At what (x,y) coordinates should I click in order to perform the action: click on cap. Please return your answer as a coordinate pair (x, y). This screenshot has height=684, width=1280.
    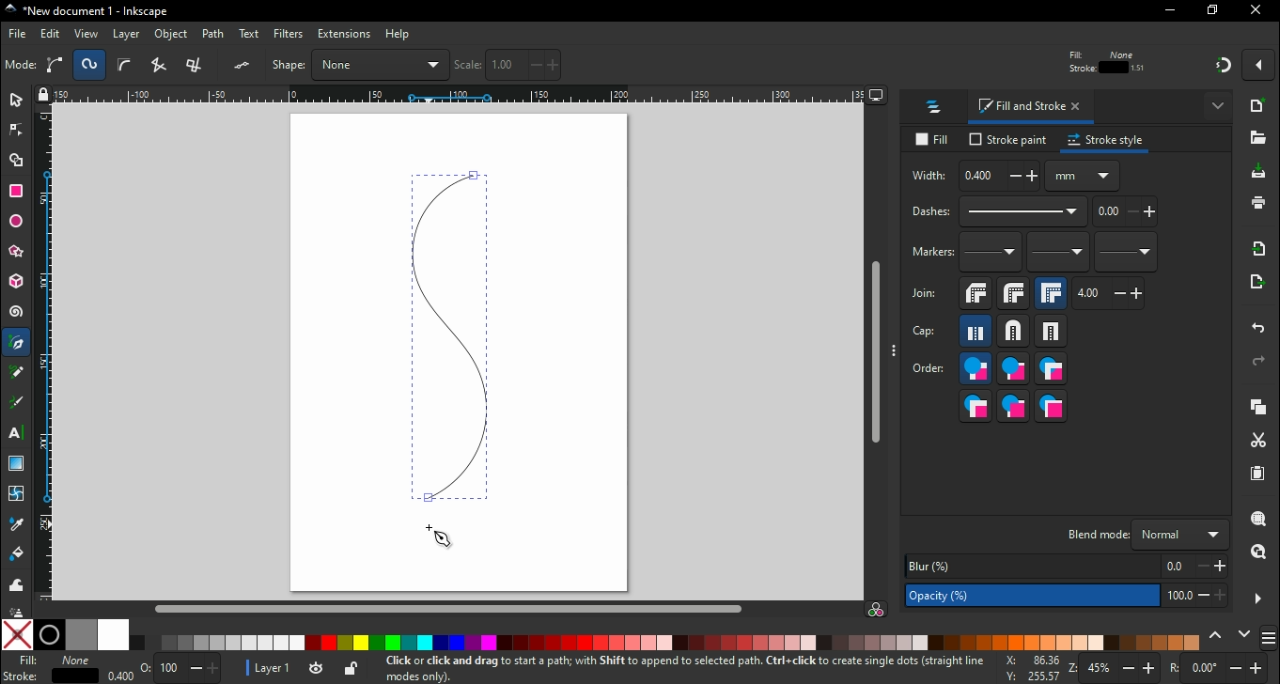
    Looking at the image, I should click on (929, 334).